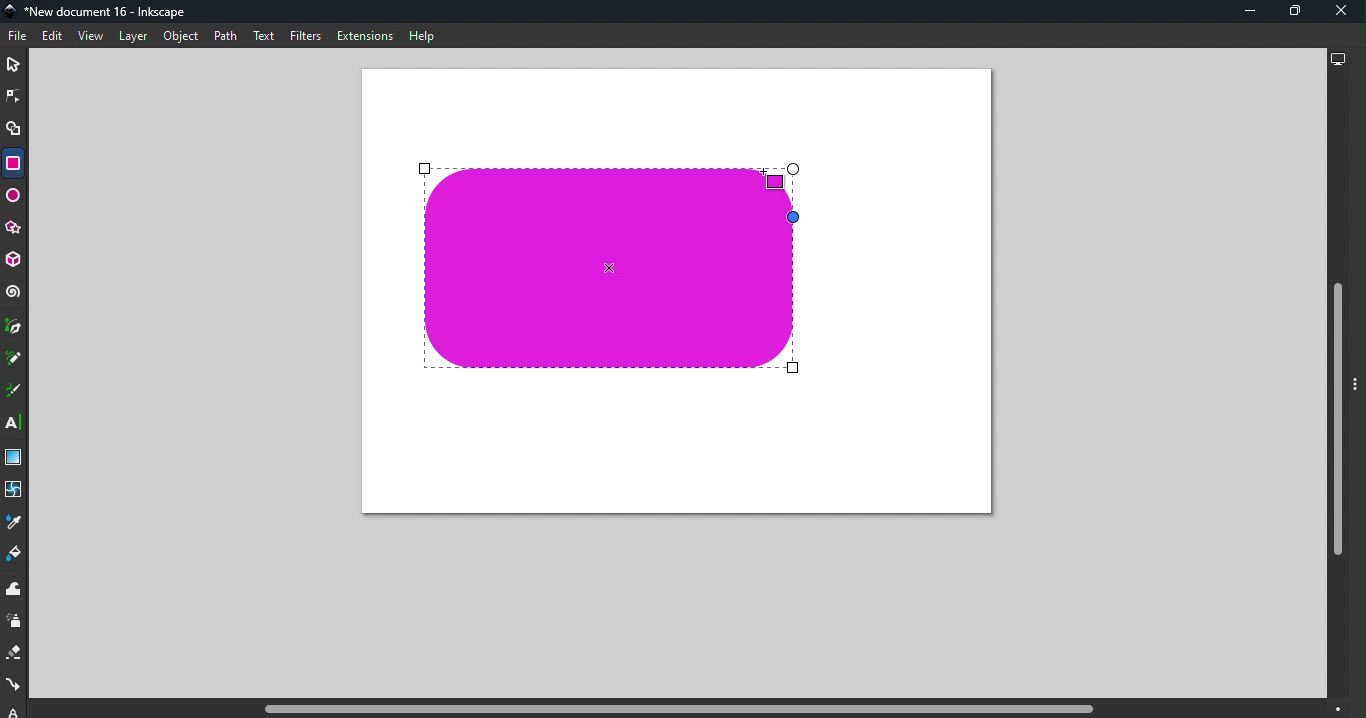 Image resolution: width=1366 pixels, height=718 pixels. I want to click on Object, so click(181, 37).